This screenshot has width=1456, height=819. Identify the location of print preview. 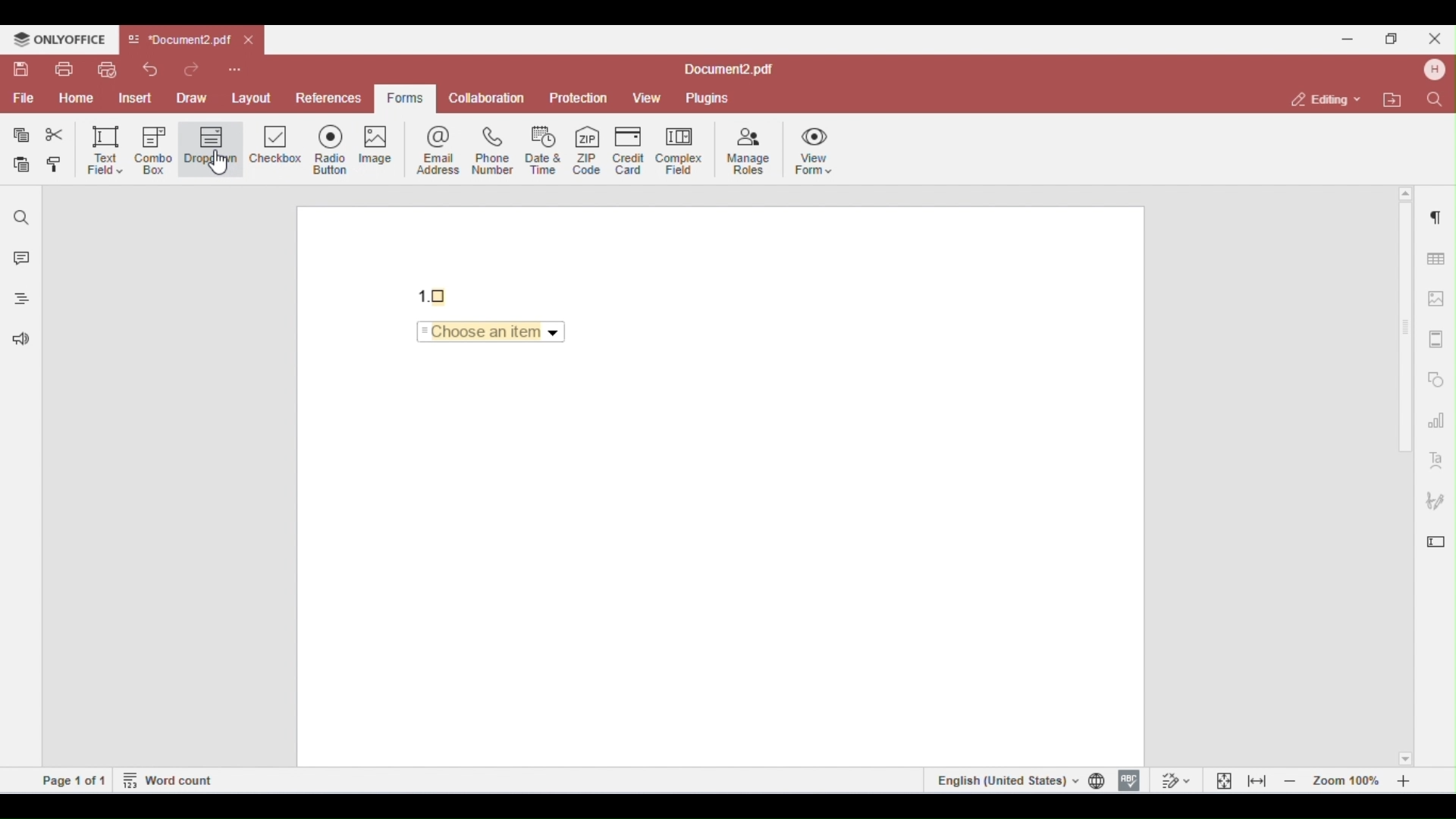
(106, 70).